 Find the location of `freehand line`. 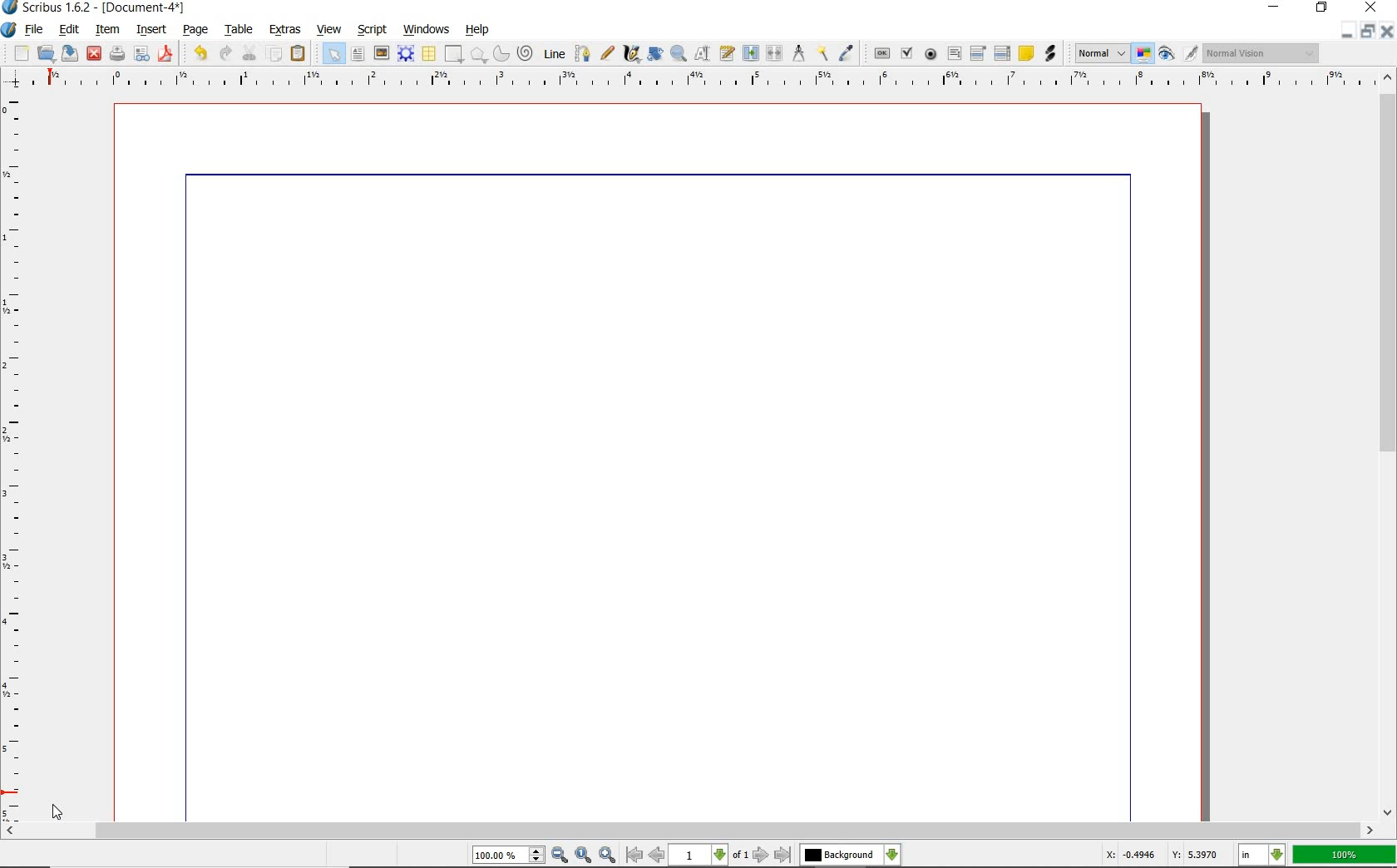

freehand line is located at coordinates (605, 54).